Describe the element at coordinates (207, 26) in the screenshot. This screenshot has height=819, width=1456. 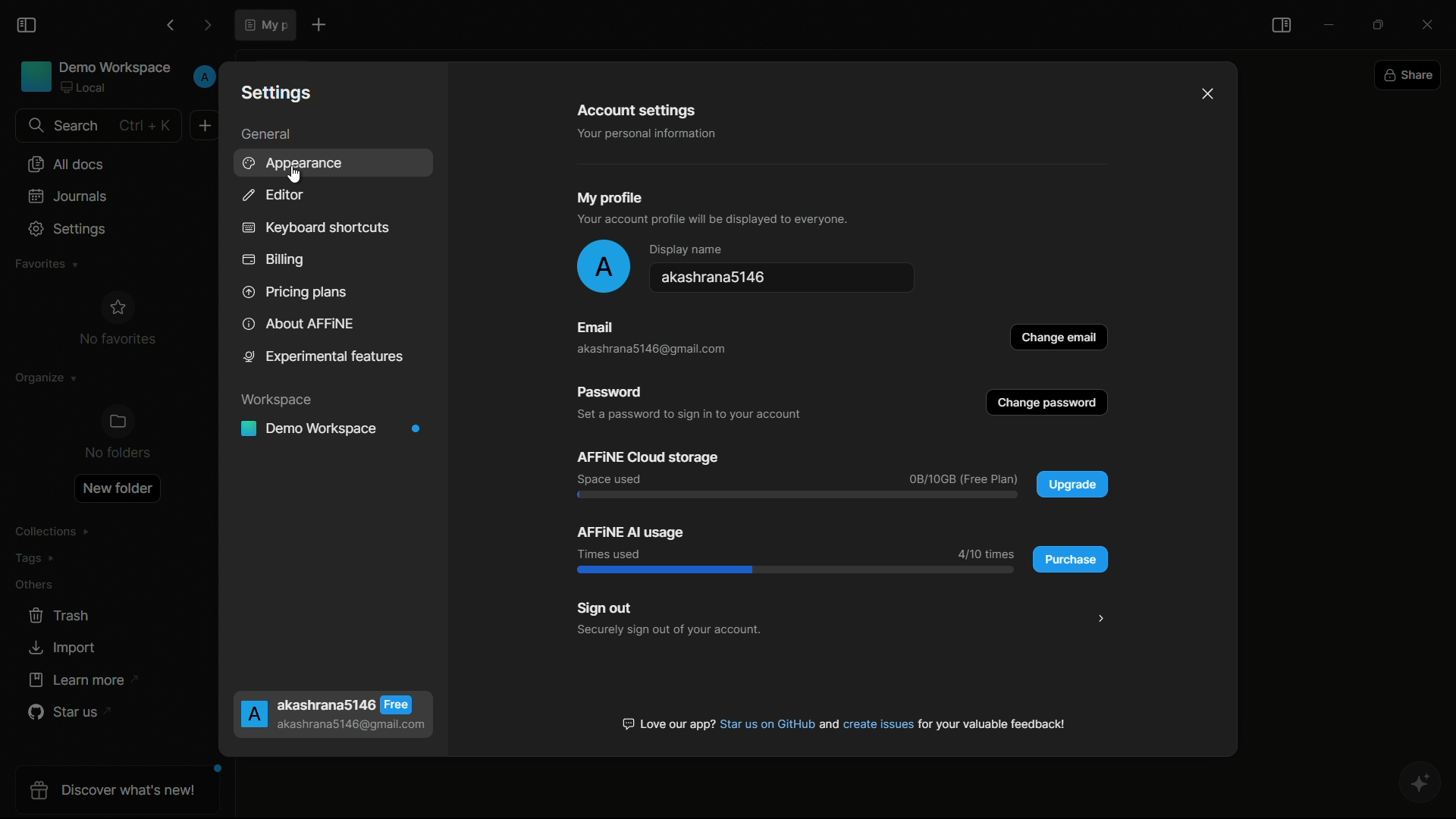
I see `forward` at that location.